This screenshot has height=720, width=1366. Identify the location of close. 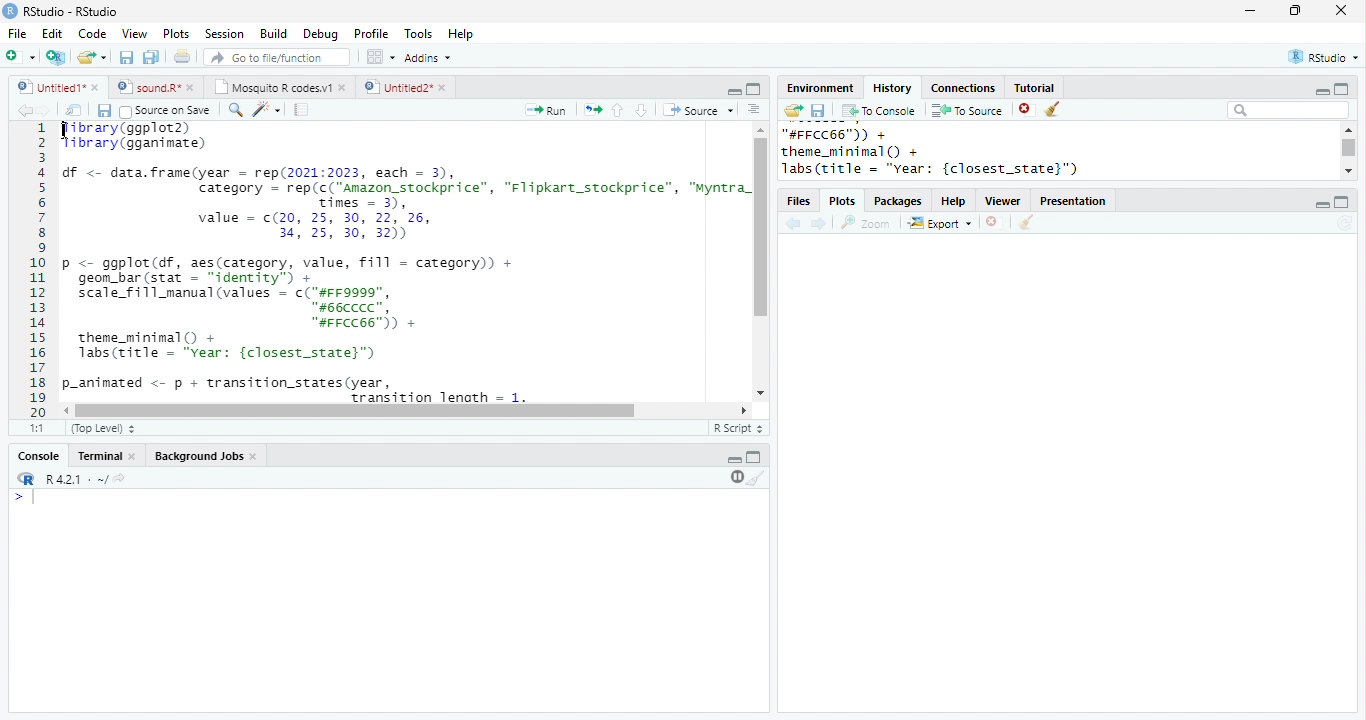
(1341, 10).